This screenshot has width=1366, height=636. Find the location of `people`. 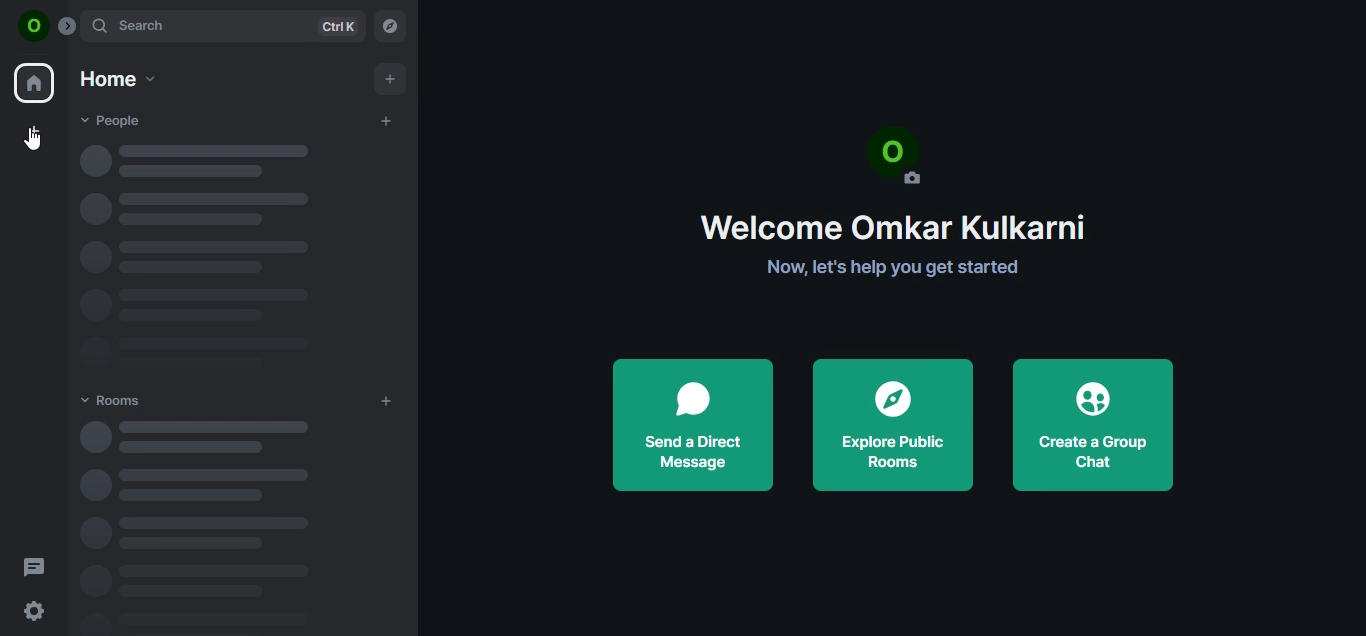

people is located at coordinates (112, 121).